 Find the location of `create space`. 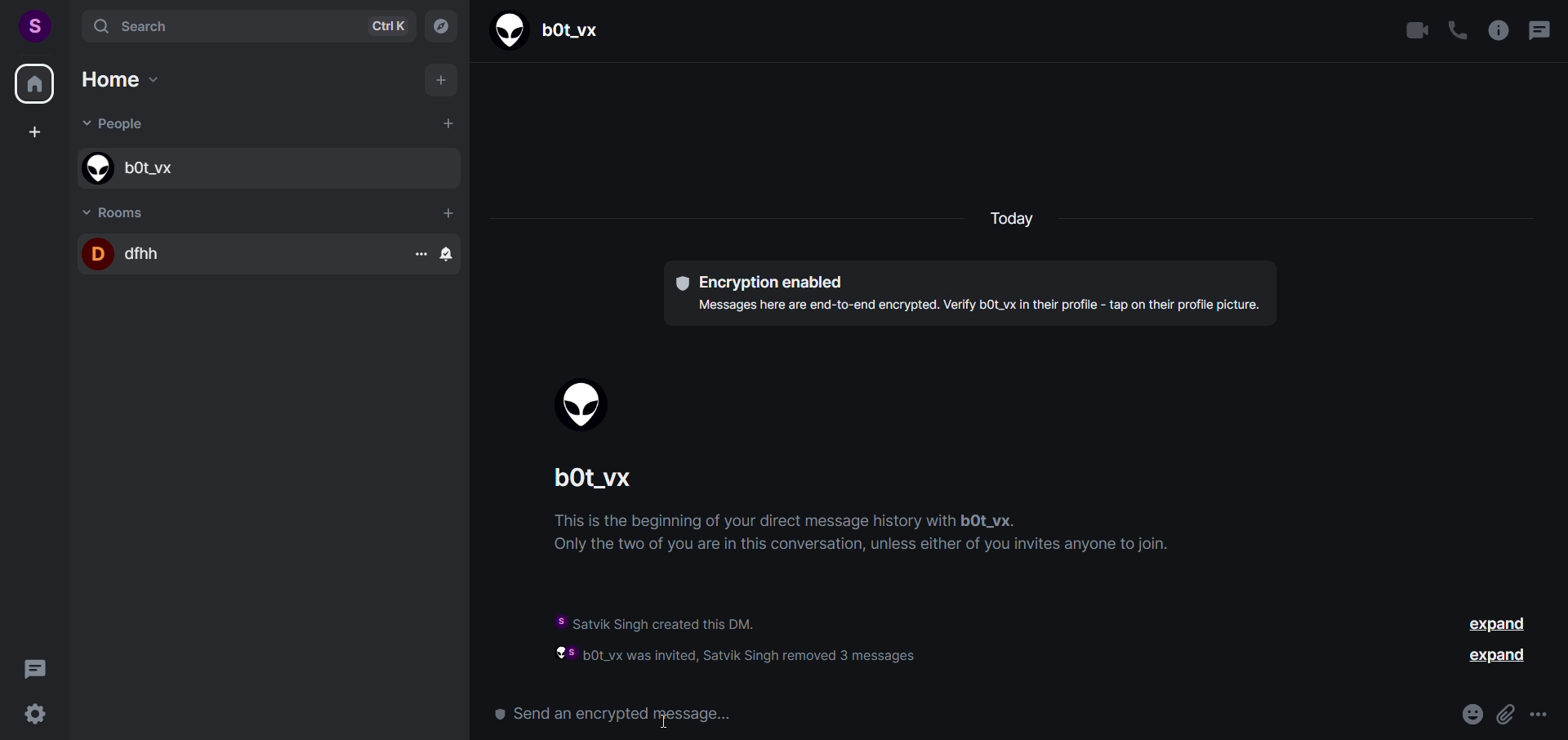

create space is located at coordinates (33, 133).